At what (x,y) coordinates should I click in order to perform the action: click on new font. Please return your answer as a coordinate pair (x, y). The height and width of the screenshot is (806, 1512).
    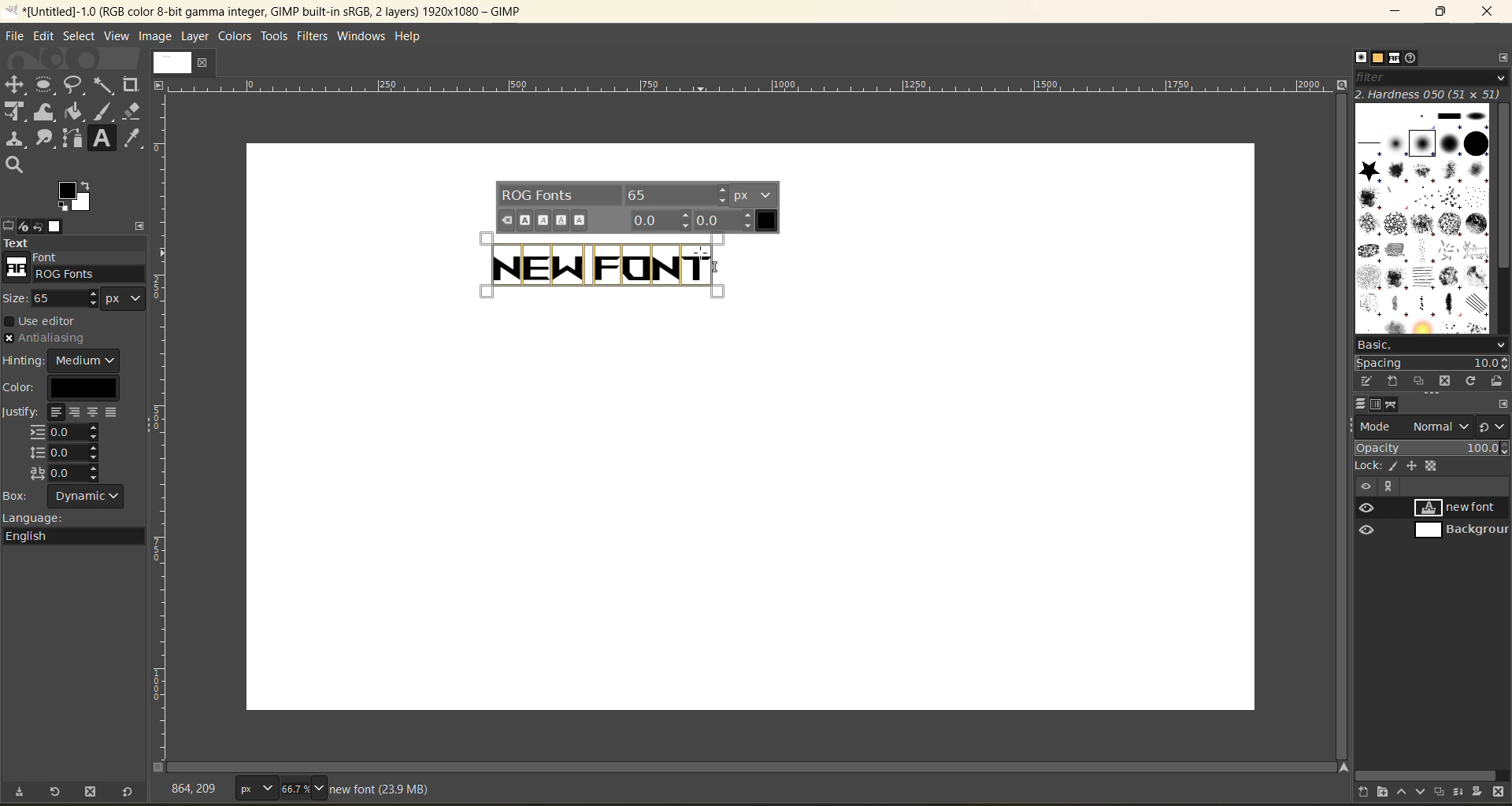
    Looking at the image, I should click on (1462, 507).